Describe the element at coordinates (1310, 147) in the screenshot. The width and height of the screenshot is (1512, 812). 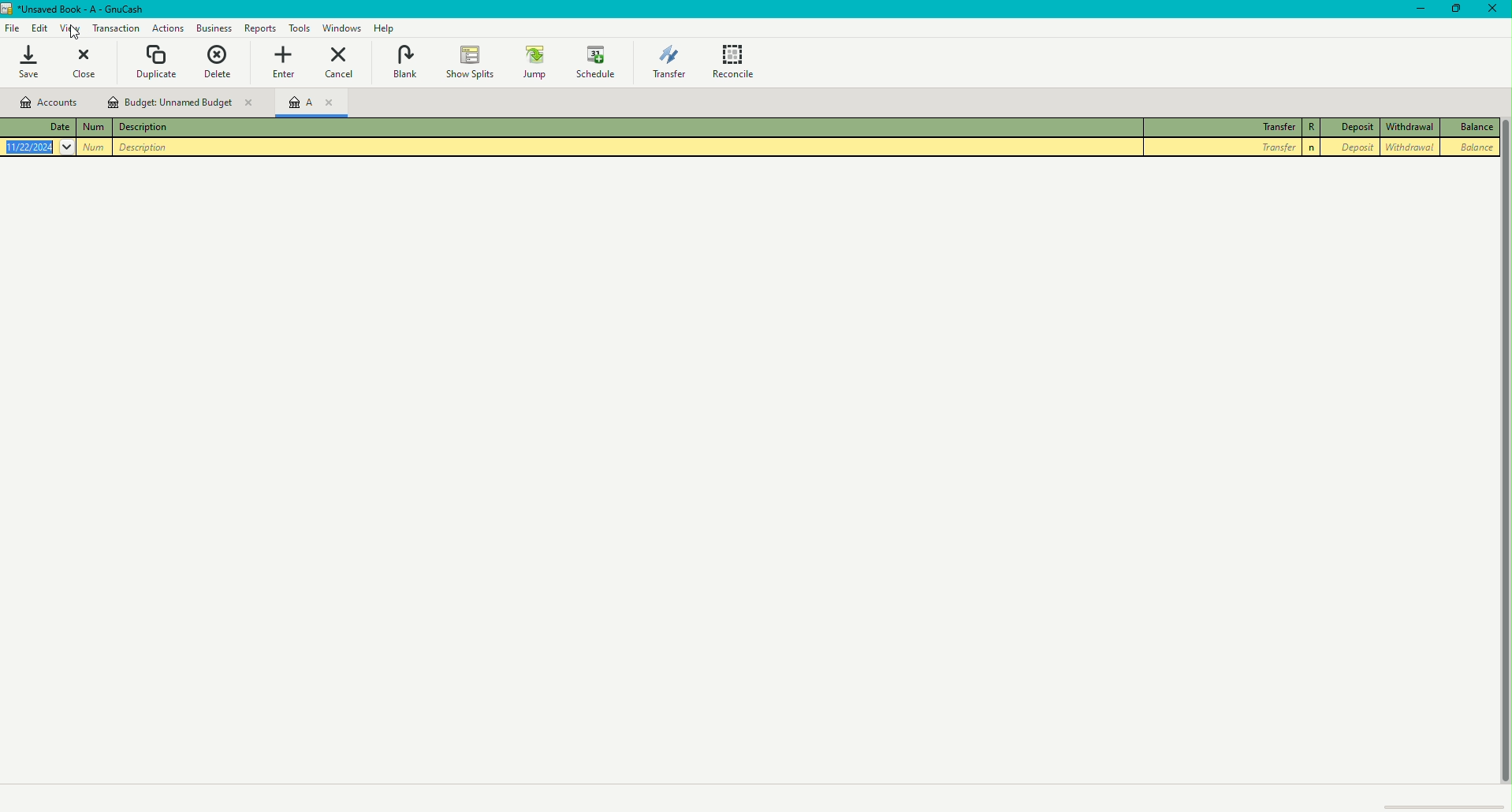
I see `n` at that location.